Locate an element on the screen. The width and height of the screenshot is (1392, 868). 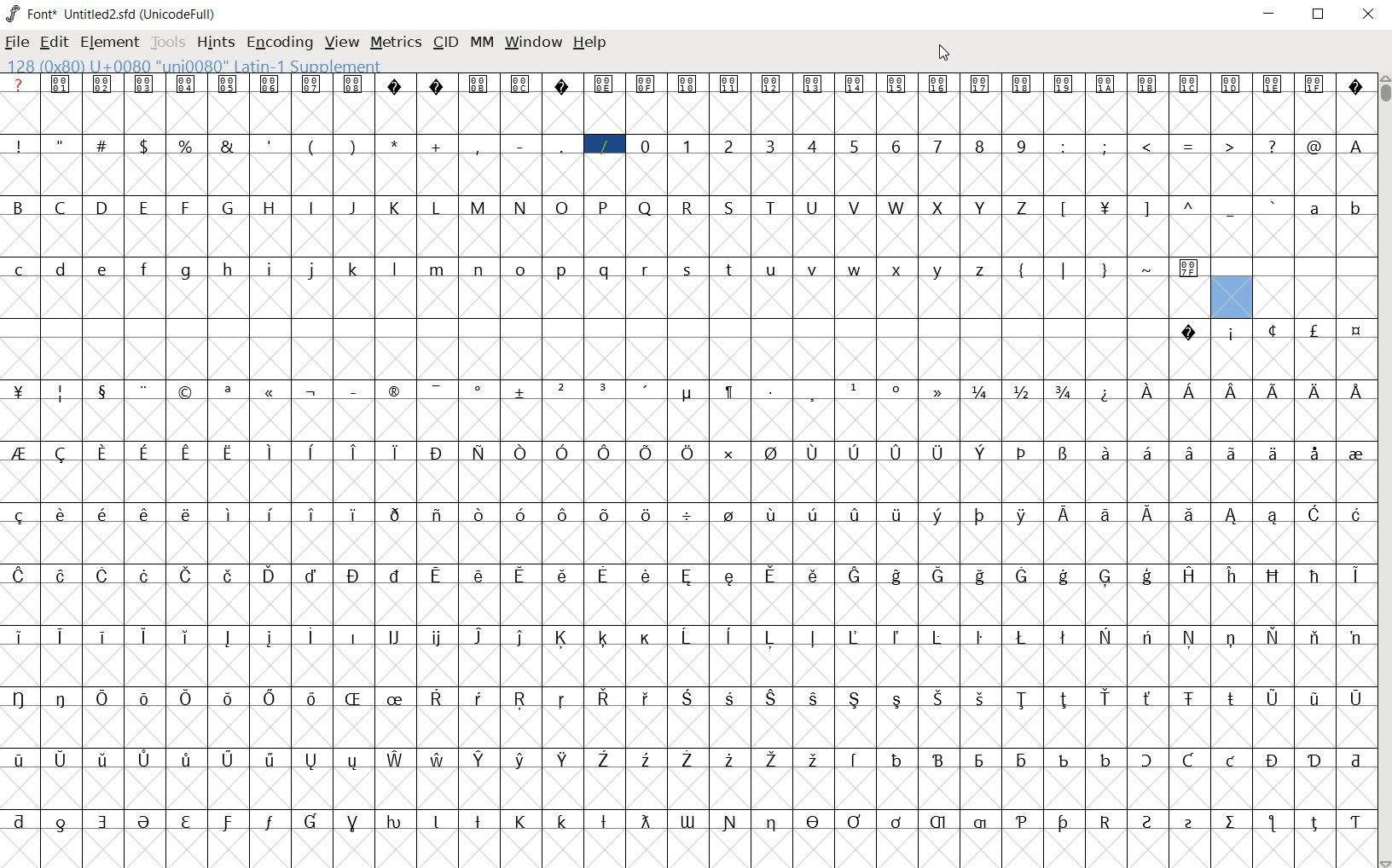
glyph is located at coordinates (395, 453).